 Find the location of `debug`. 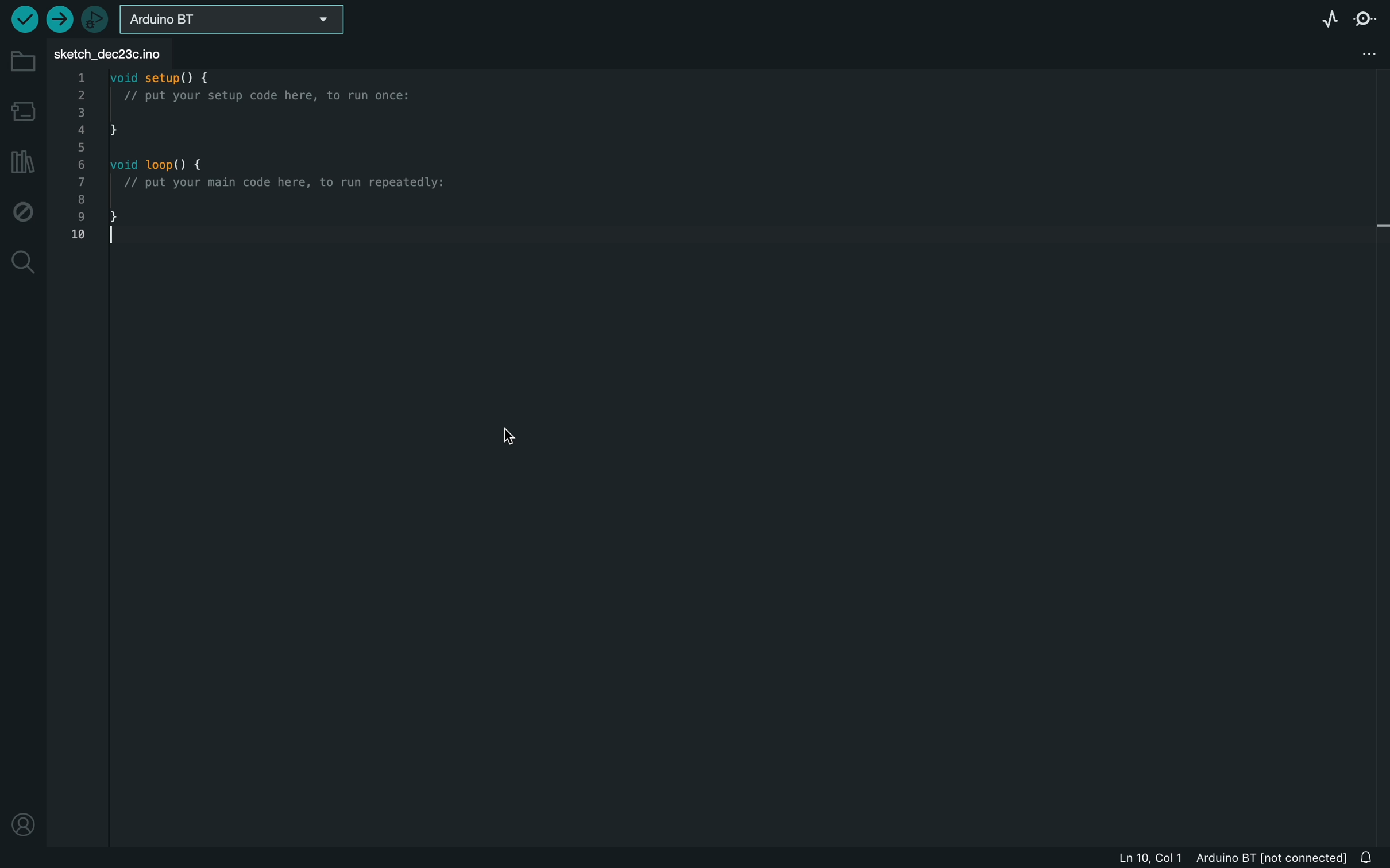

debug is located at coordinates (24, 212).